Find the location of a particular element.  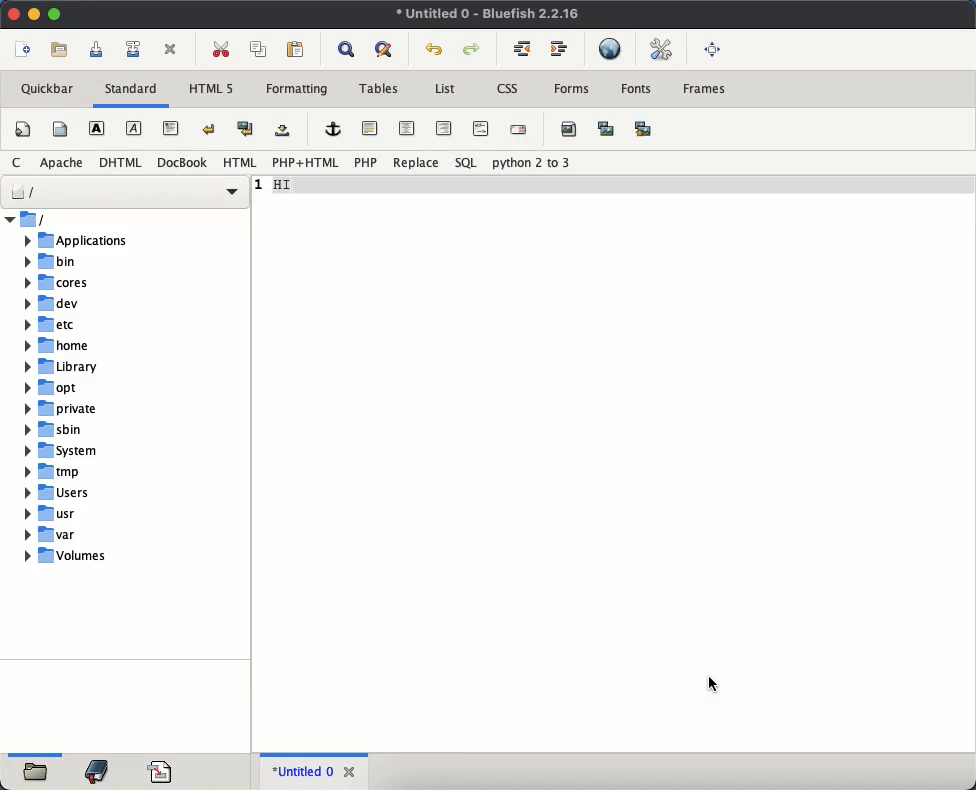

break and clear is located at coordinates (247, 129).